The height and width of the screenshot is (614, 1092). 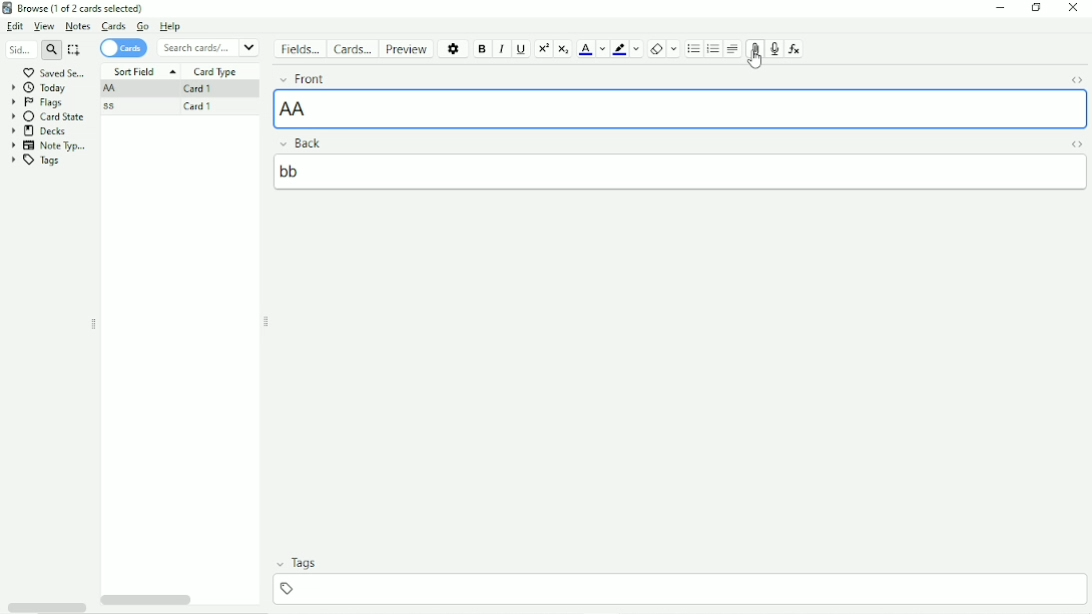 What do you see at coordinates (407, 50) in the screenshot?
I see `Preview` at bounding box center [407, 50].